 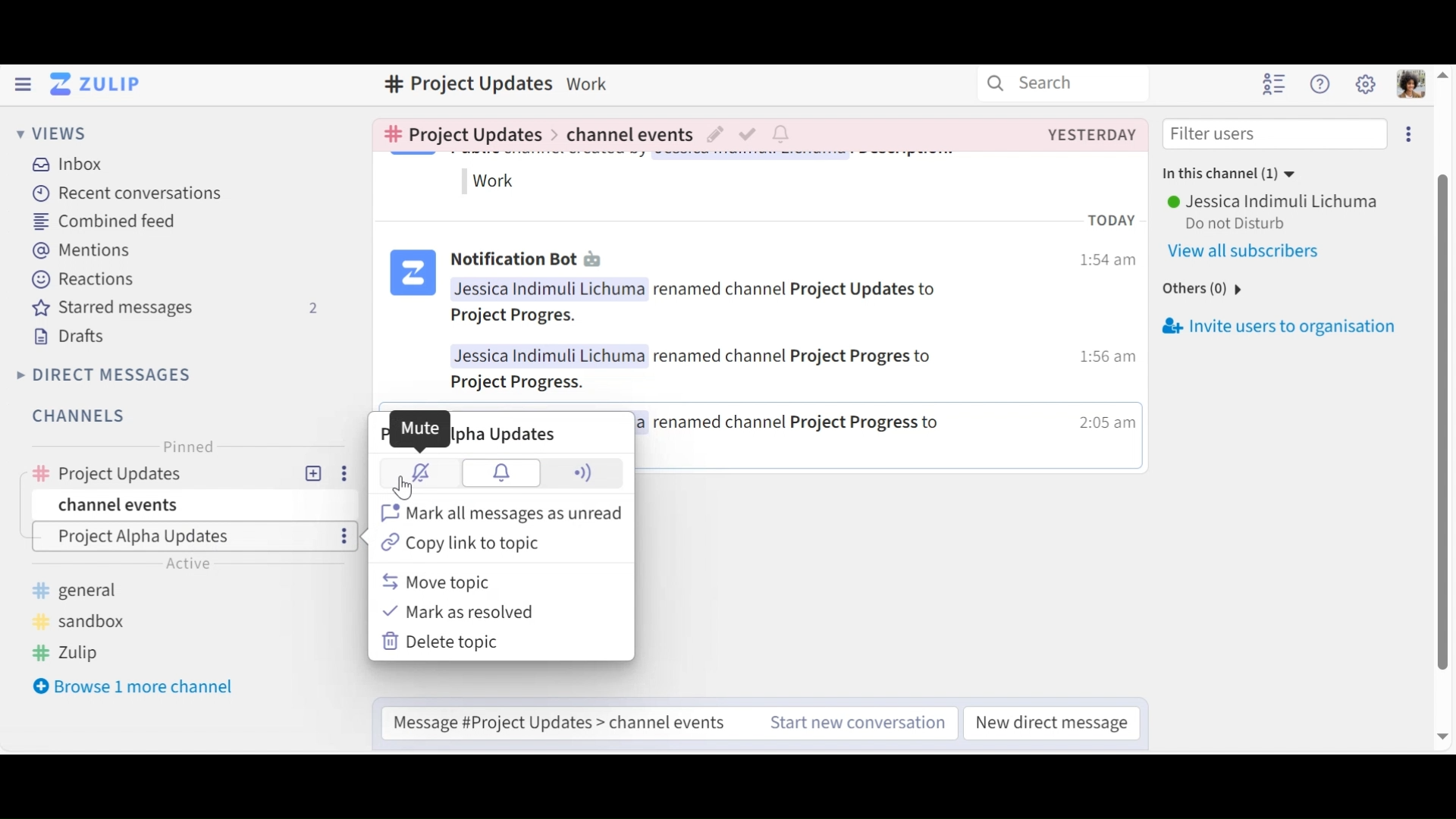 What do you see at coordinates (83, 278) in the screenshot?
I see `Reactions` at bounding box center [83, 278].